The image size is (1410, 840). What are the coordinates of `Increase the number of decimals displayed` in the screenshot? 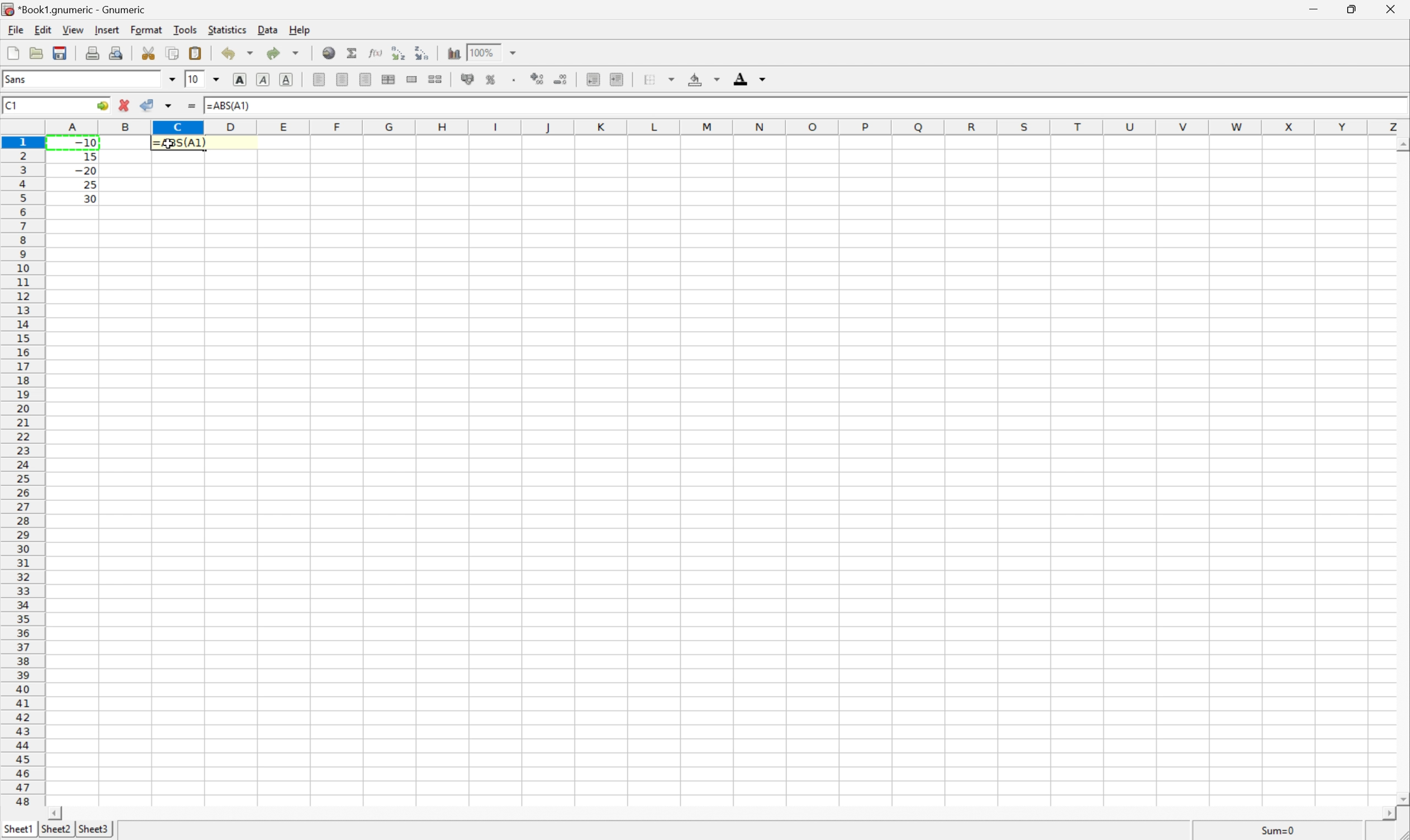 It's located at (540, 80).